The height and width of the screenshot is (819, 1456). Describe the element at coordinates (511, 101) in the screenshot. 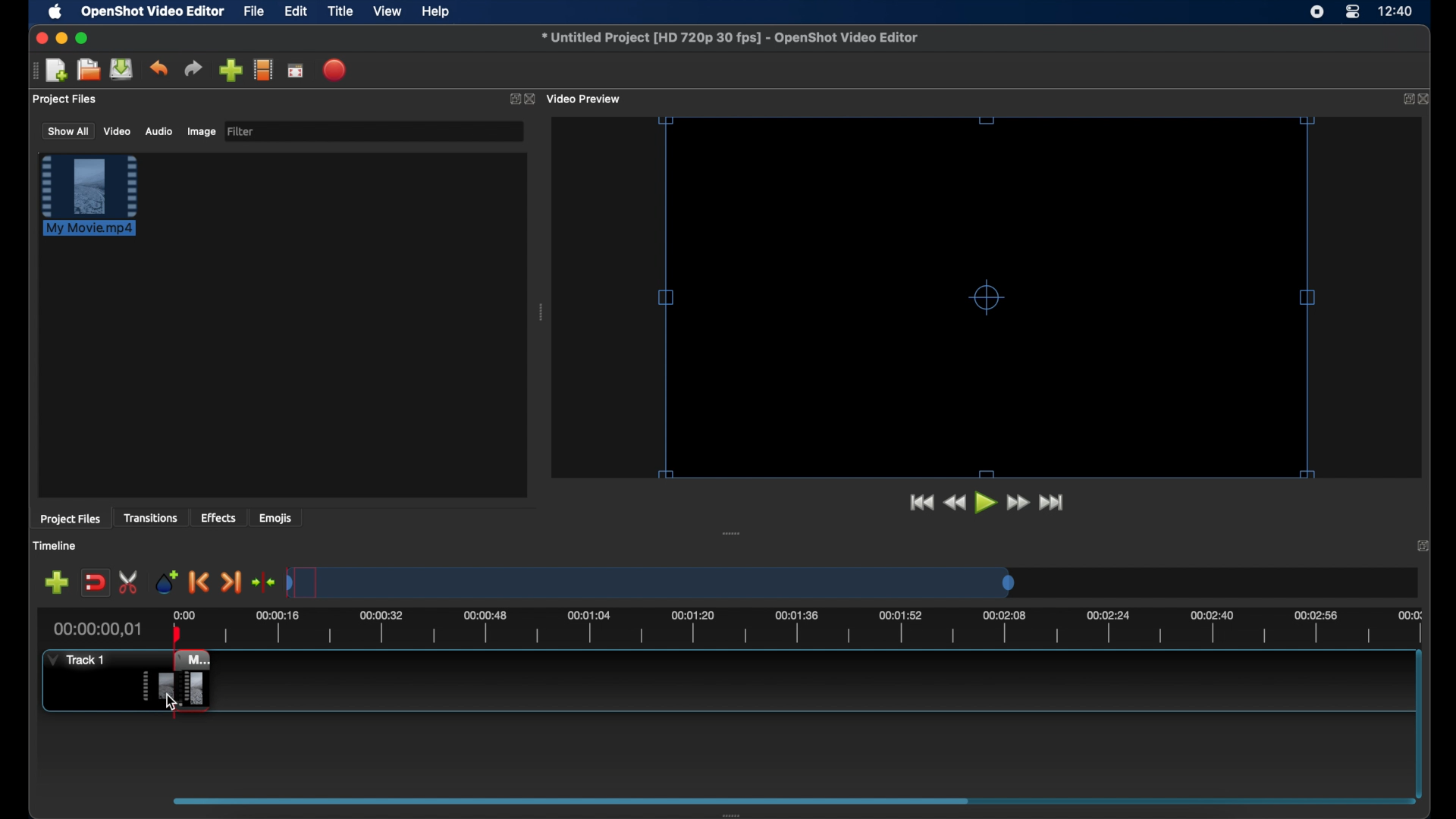

I see `expand` at that location.